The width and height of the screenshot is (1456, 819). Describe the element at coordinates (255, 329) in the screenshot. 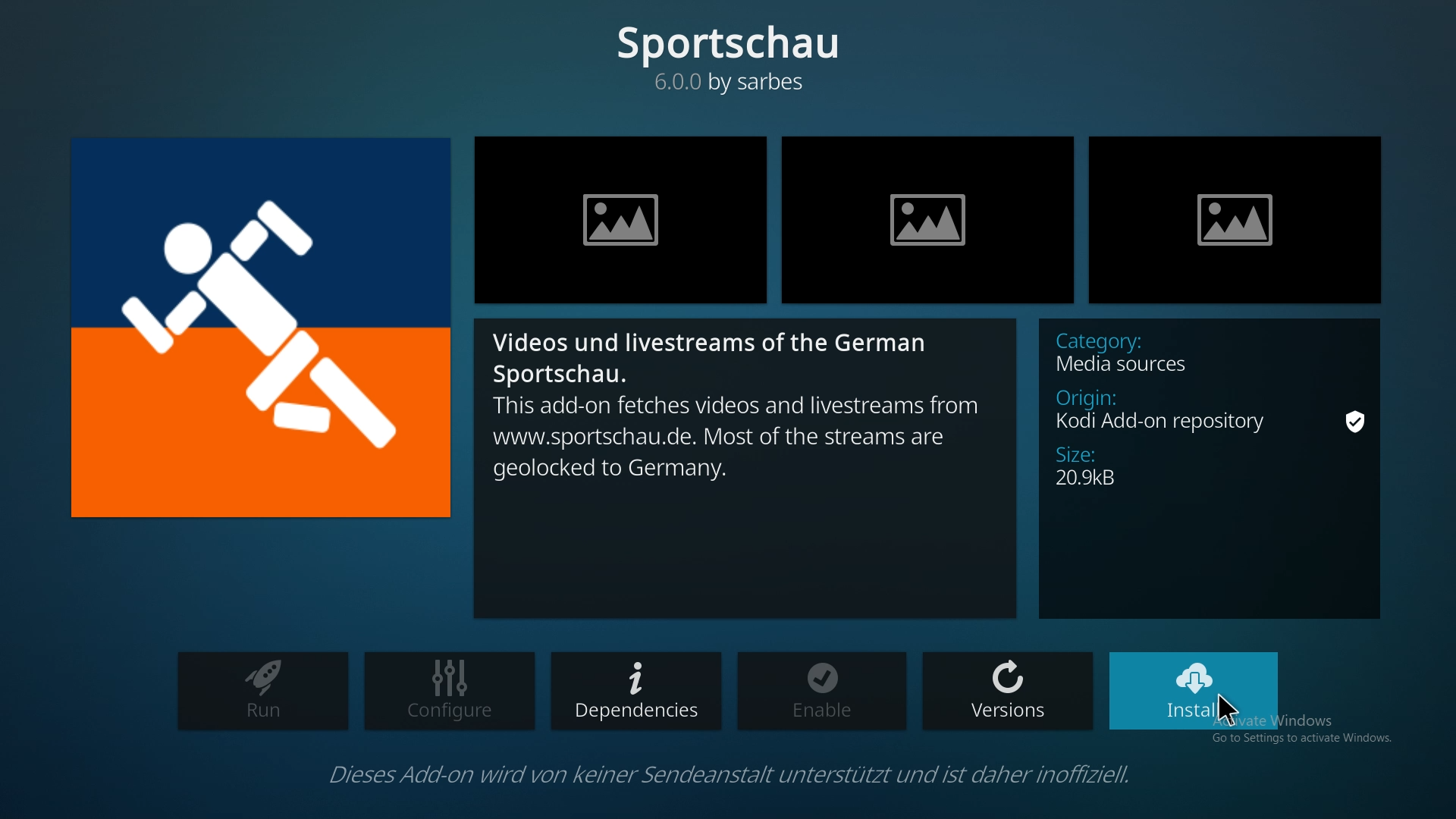

I see `icon` at that location.